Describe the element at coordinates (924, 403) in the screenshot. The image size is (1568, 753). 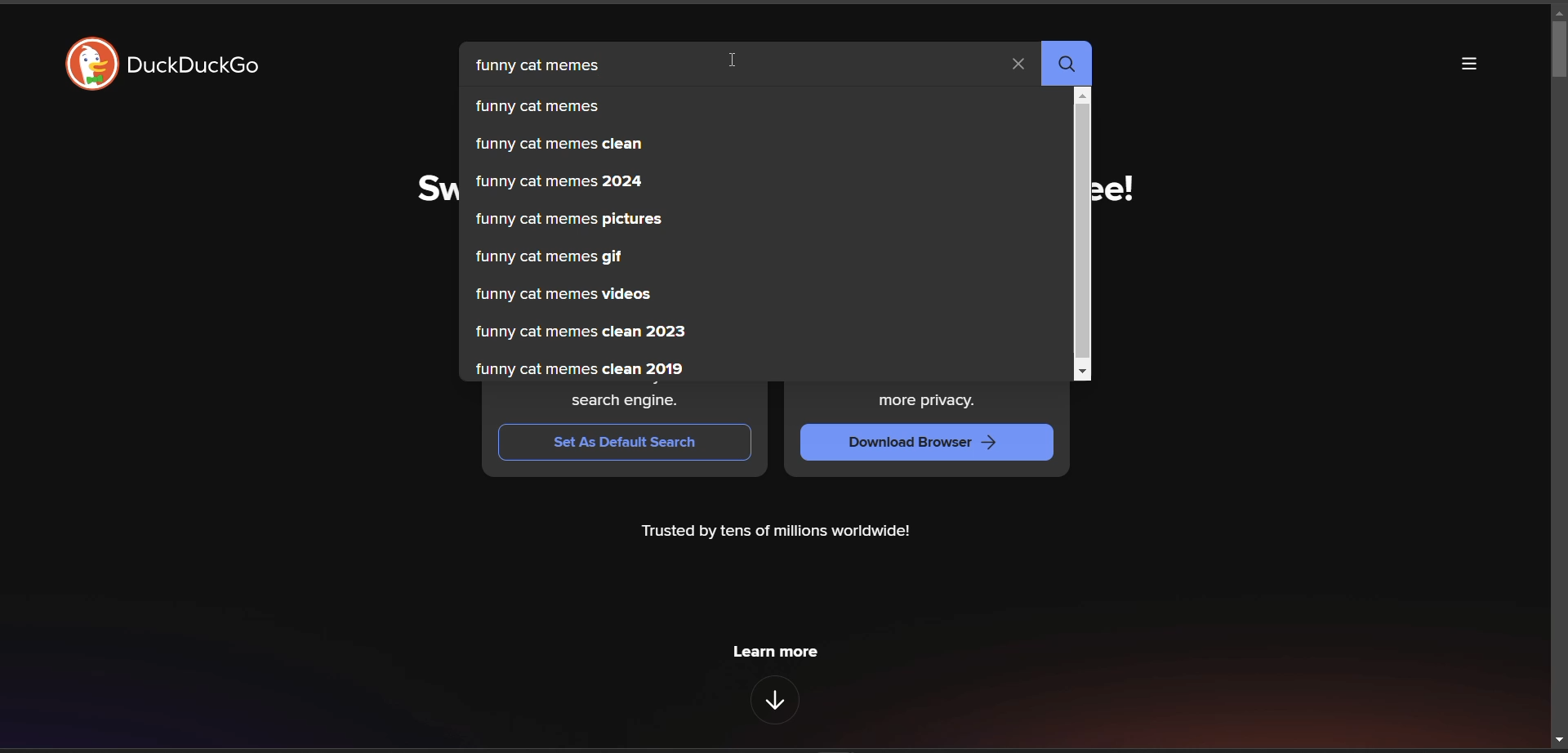
I see `more privacy.` at that location.